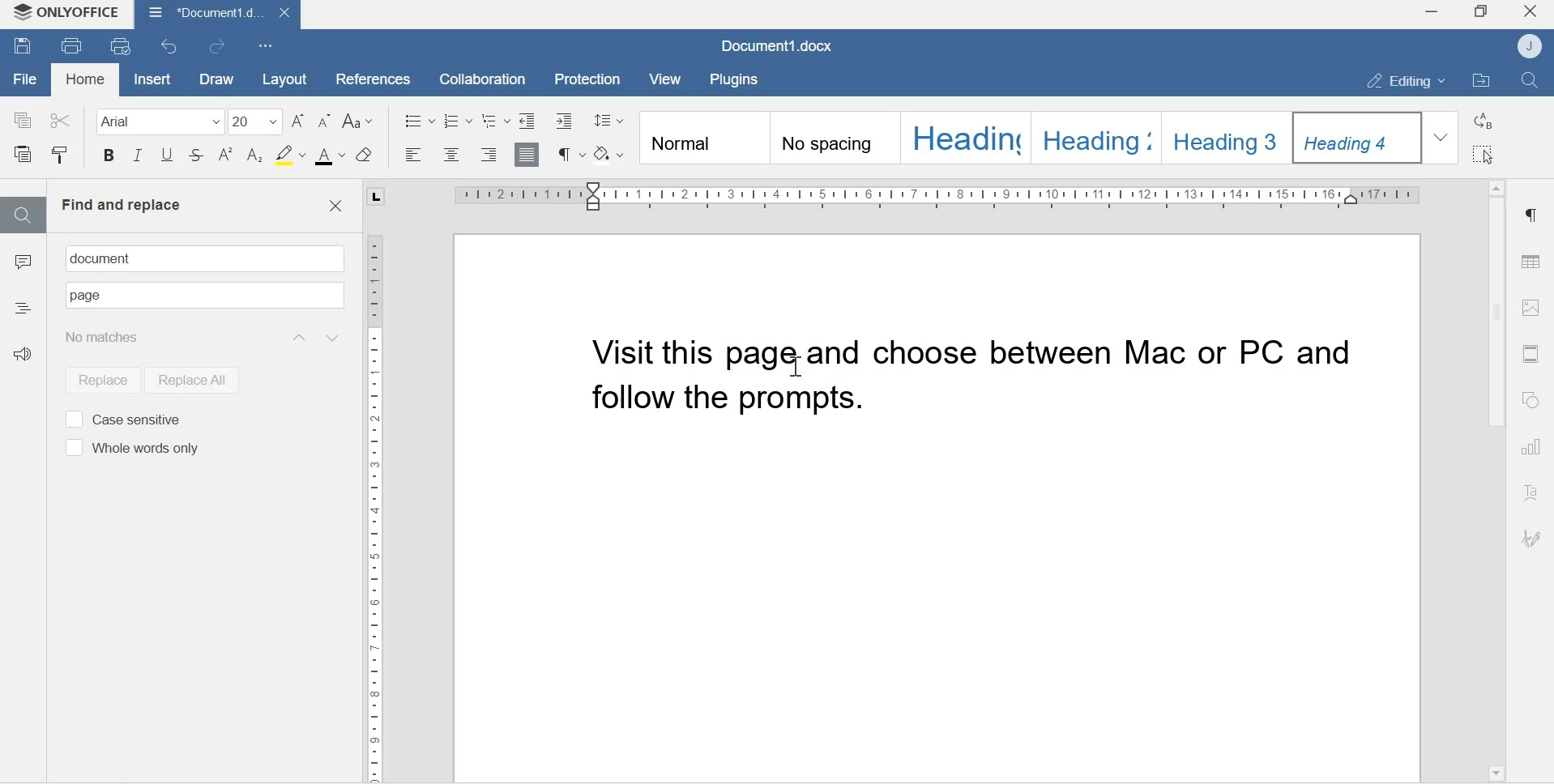 Image resolution: width=1554 pixels, height=784 pixels. Describe the element at coordinates (1485, 121) in the screenshot. I see `Replace` at that location.